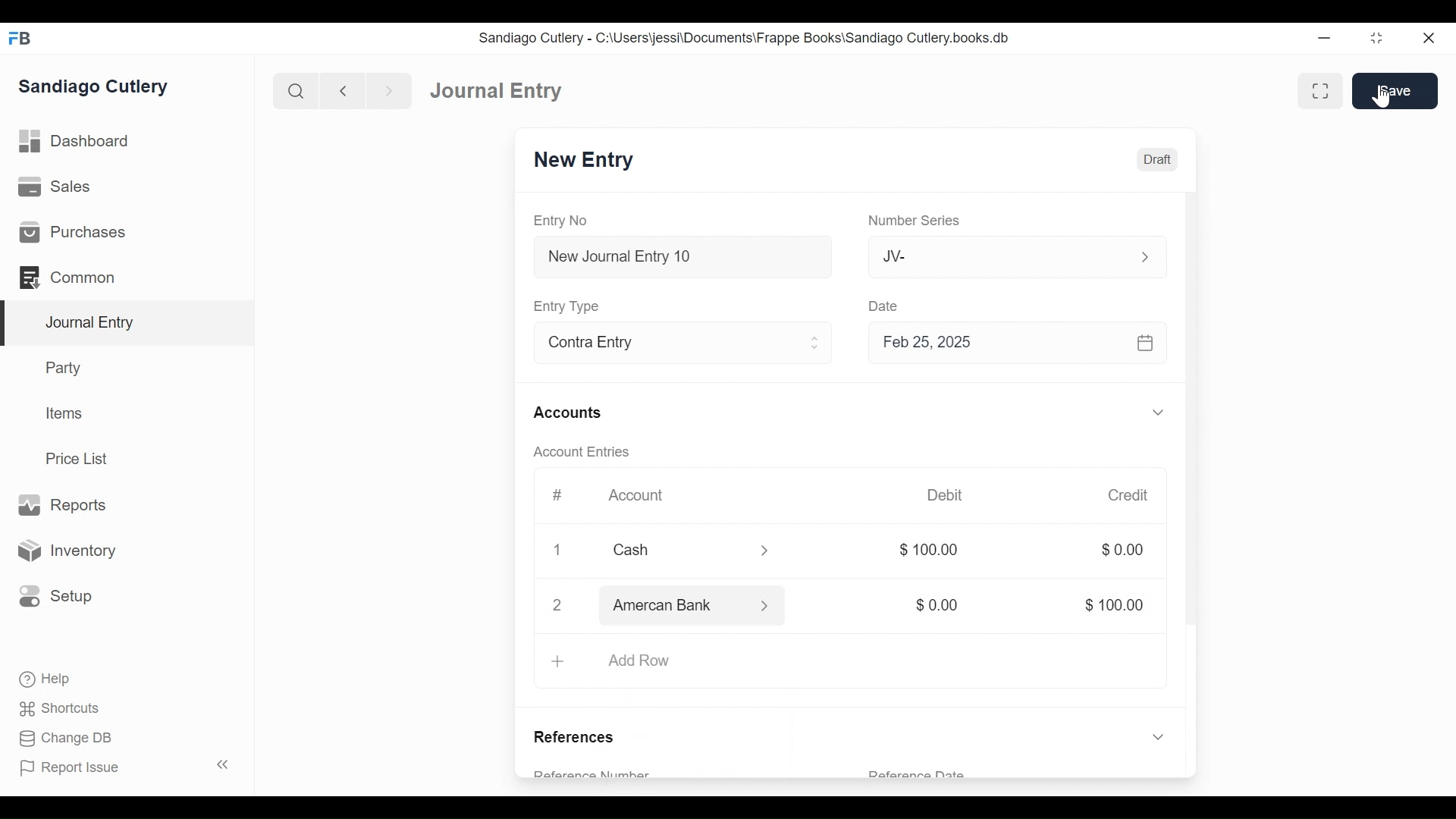  I want to click on Contra Entry, so click(664, 344).